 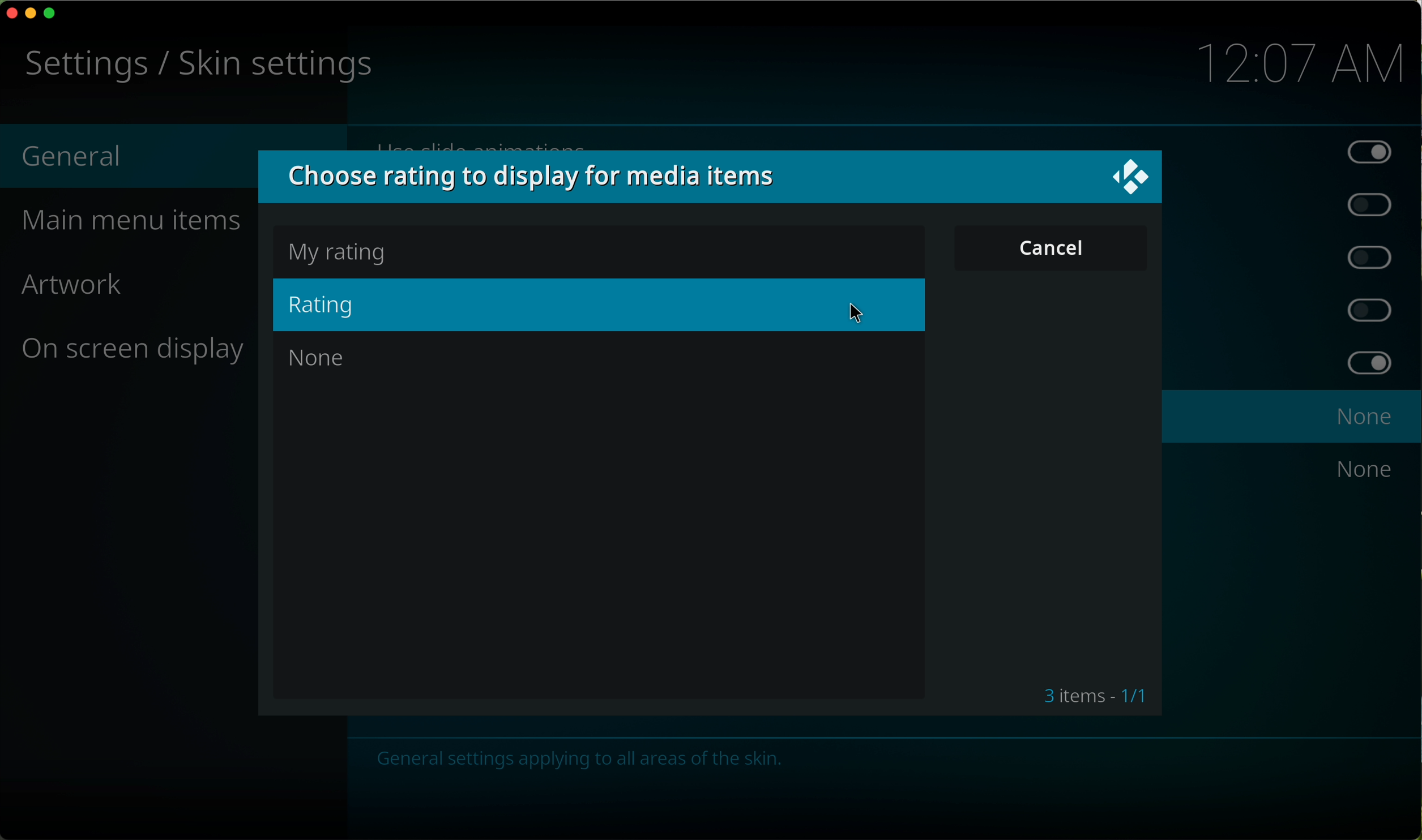 What do you see at coordinates (887, 142) in the screenshot?
I see `use slide animations` at bounding box center [887, 142].